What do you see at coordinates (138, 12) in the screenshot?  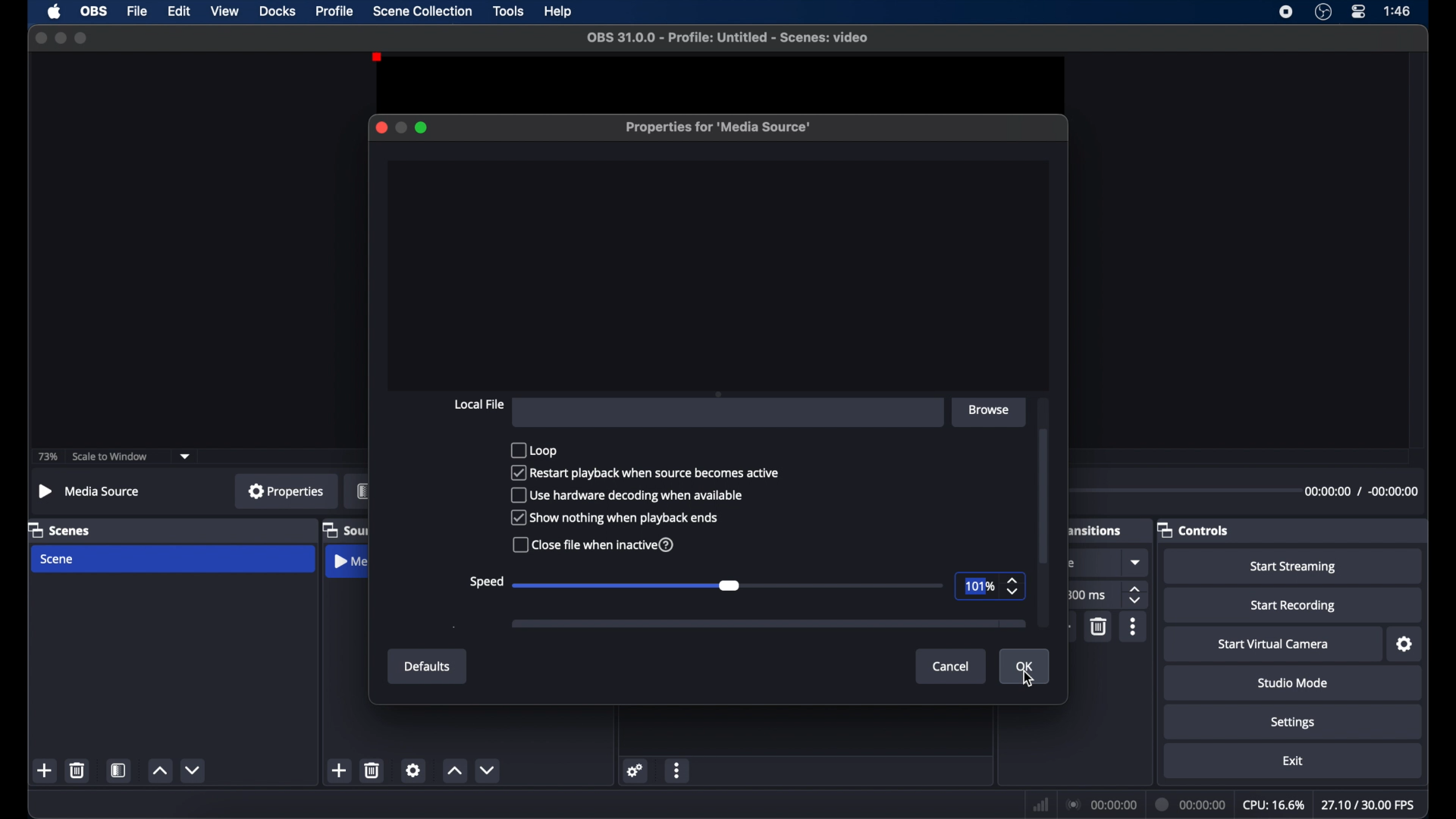 I see `file` at bounding box center [138, 12].